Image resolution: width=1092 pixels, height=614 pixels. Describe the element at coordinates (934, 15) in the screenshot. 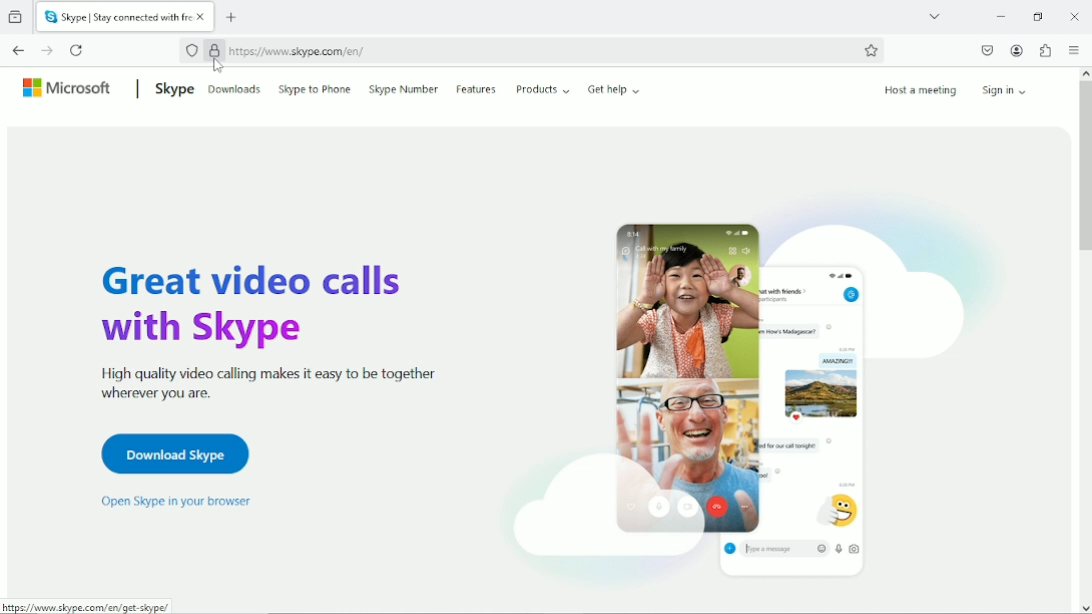

I see `List all tabs` at that location.